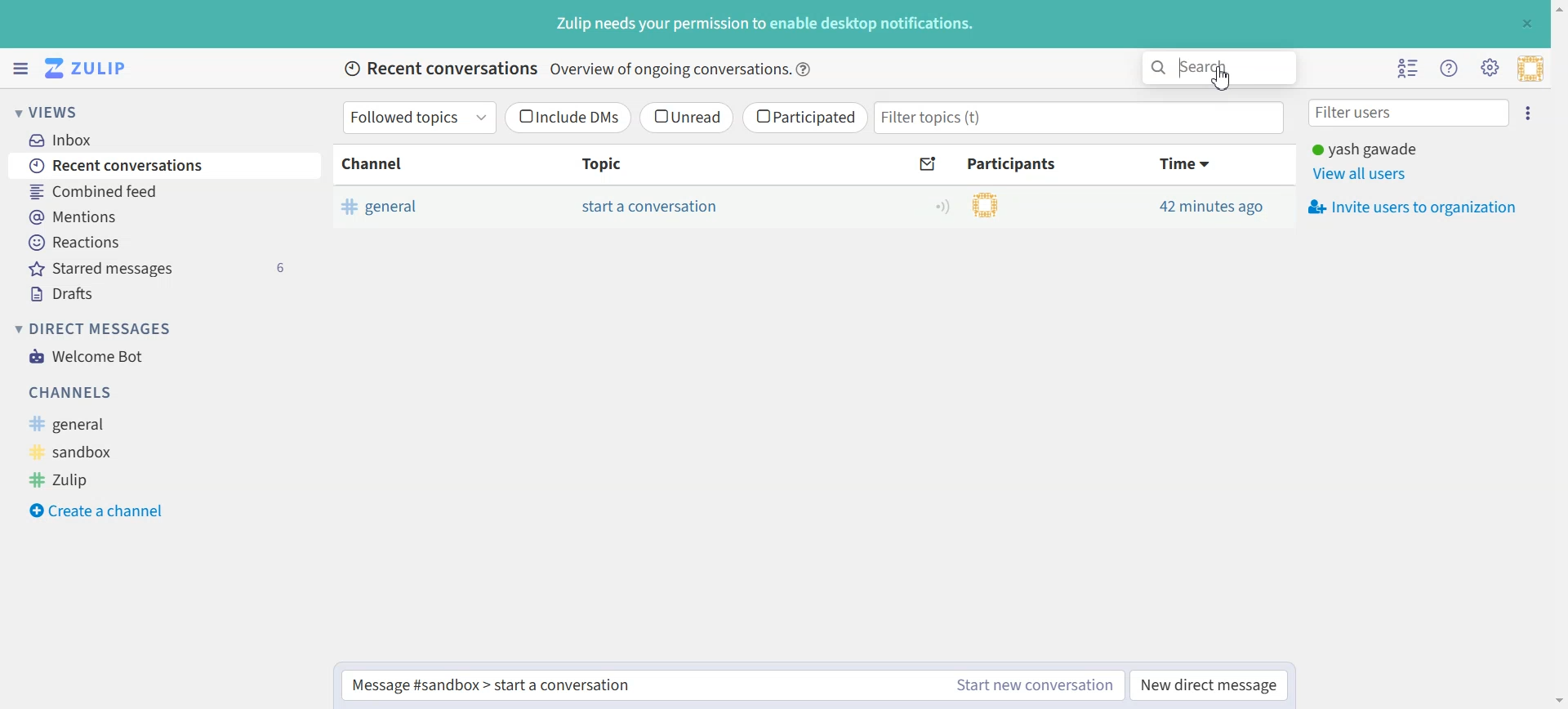 The image size is (1568, 709). Describe the element at coordinates (805, 69) in the screenshot. I see `Info` at that location.